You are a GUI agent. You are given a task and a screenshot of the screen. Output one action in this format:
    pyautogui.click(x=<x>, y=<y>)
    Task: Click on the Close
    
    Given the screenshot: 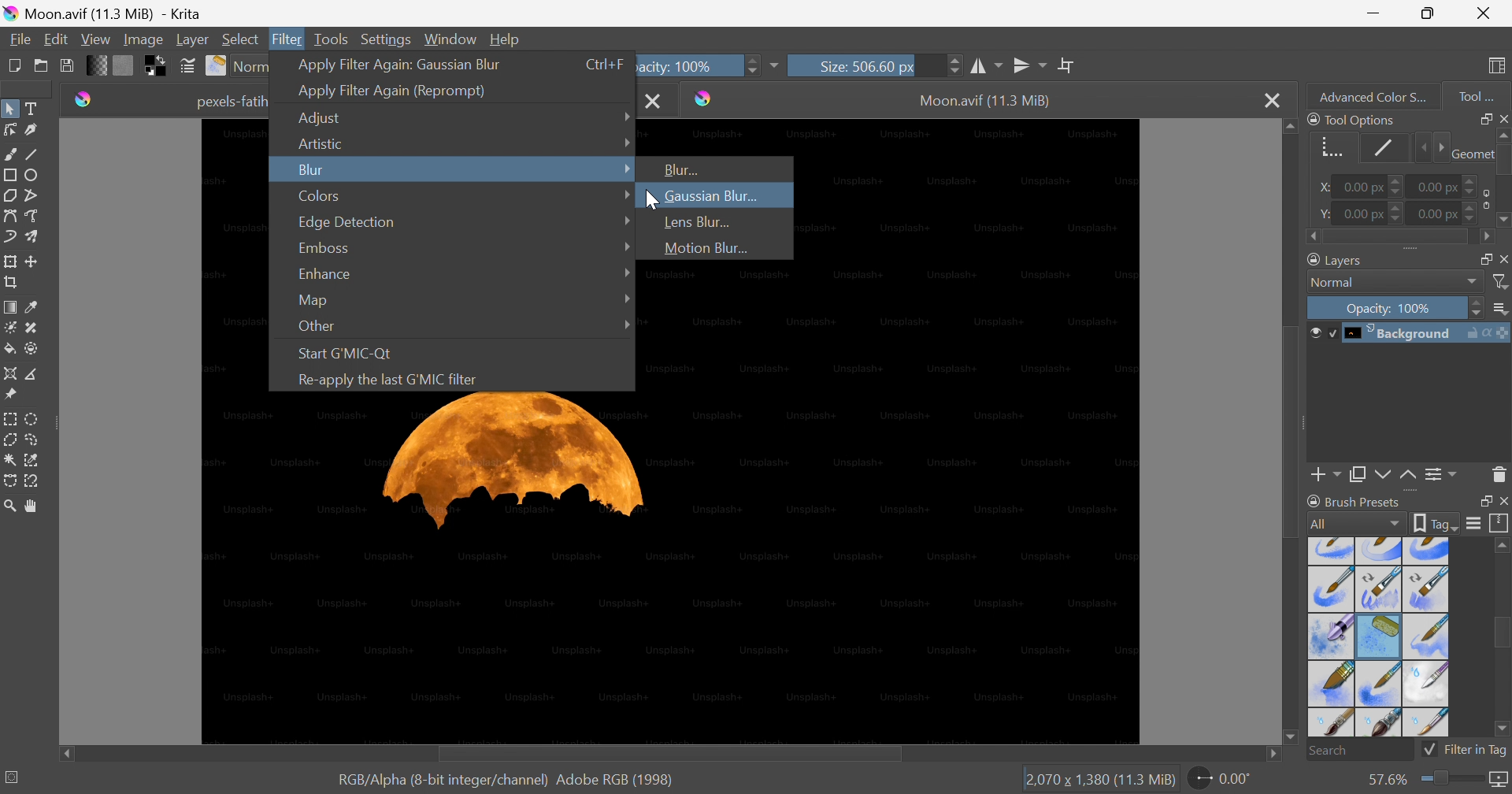 What is the action you would take?
    pyautogui.click(x=1503, y=258)
    